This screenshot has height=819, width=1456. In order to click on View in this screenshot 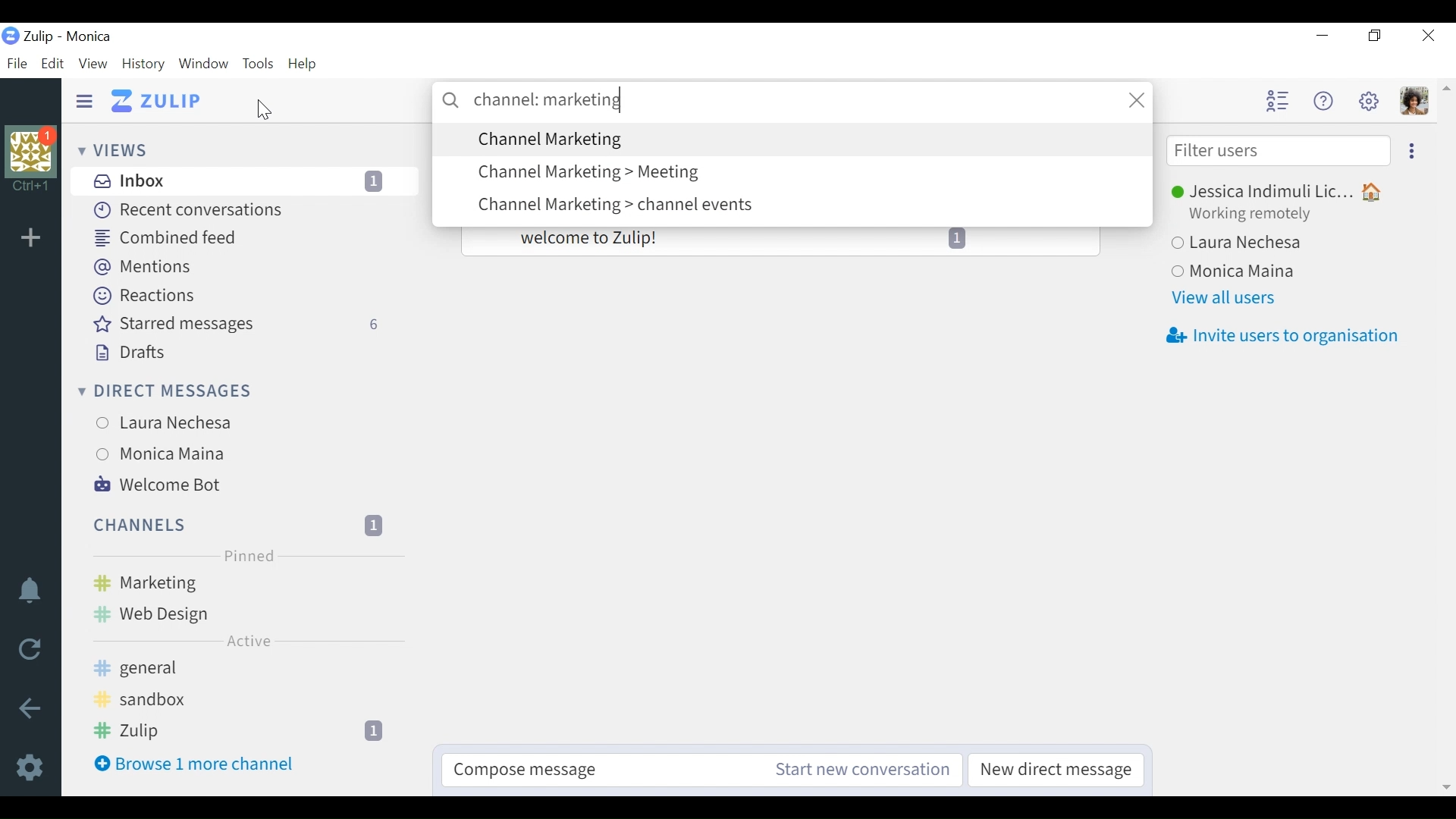, I will do `click(93, 63)`.